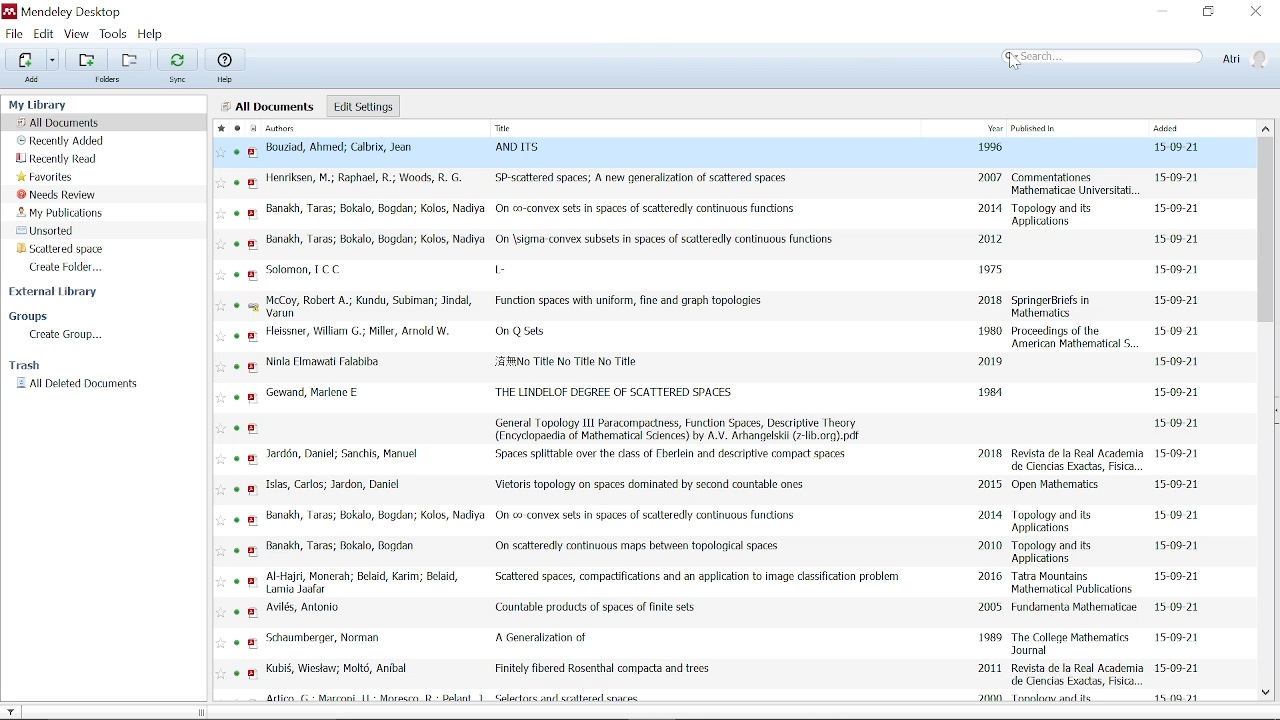 The height and width of the screenshot is (720, 1280). What do you see at coordinates (221, 612) in the screenshot?
I see `Add to favorite` at bounding box center [221, 612].